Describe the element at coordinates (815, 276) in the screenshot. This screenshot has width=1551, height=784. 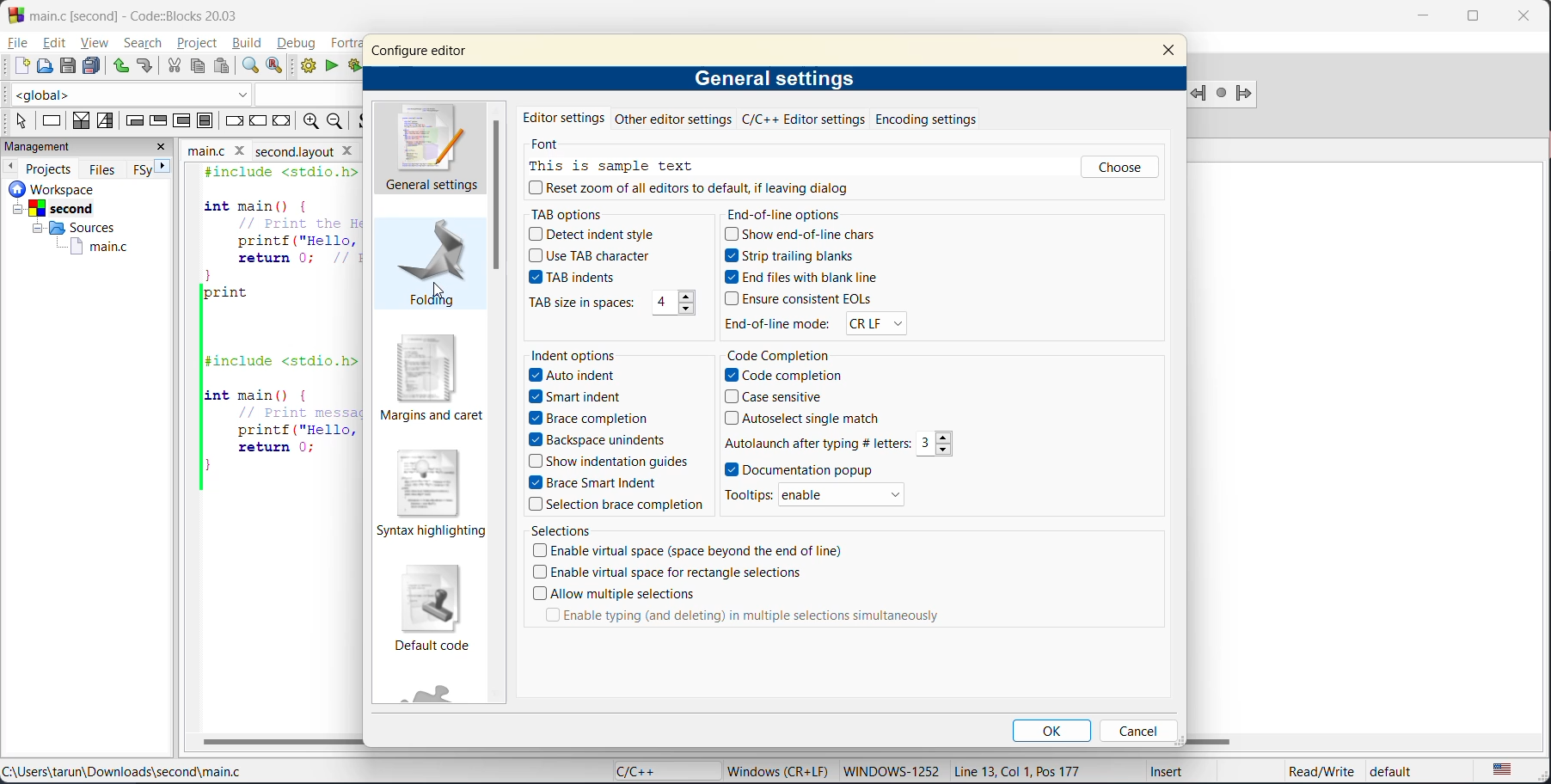
I see `End files with blank line` at that location.